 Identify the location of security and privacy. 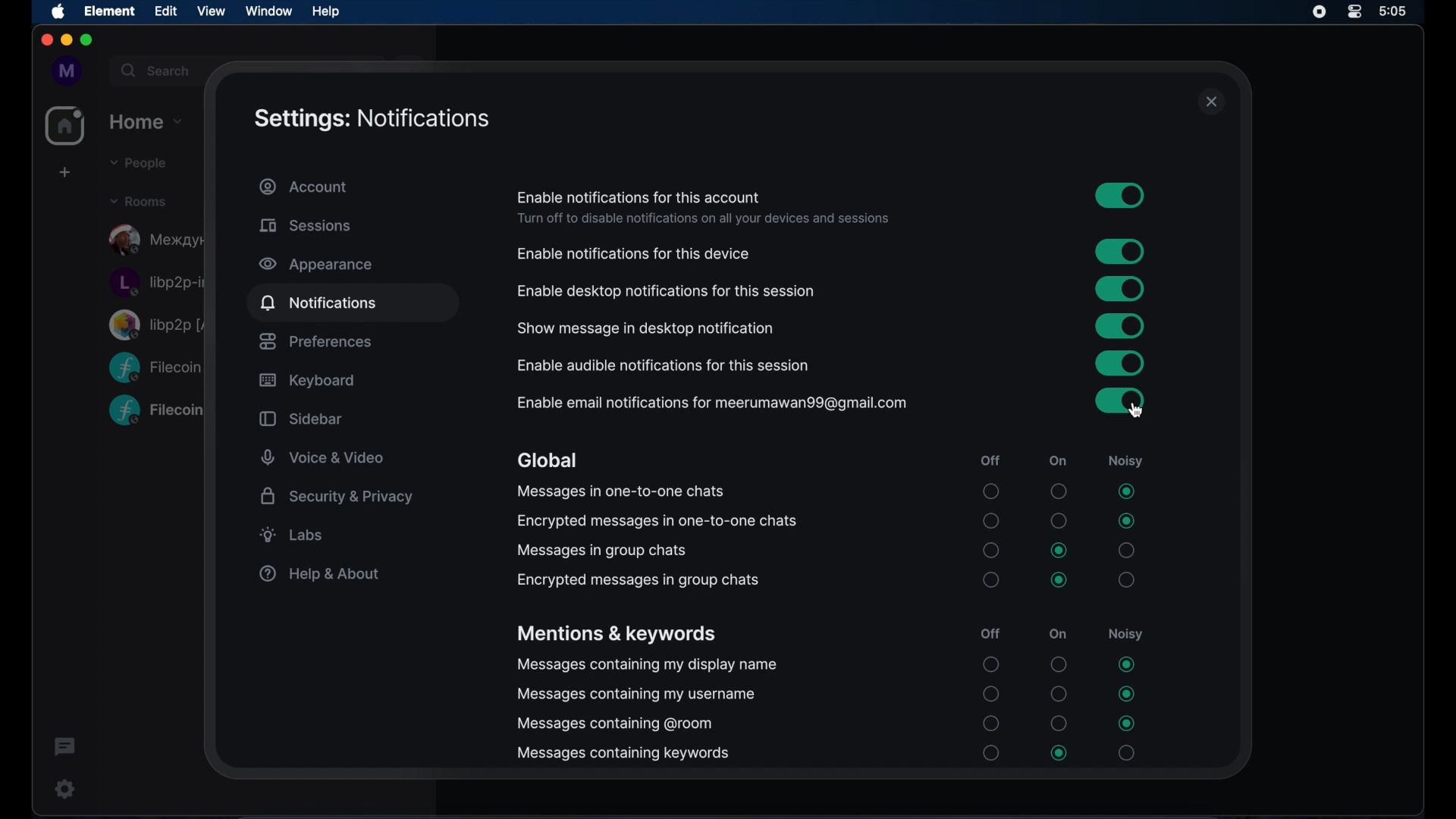
(337, 496).